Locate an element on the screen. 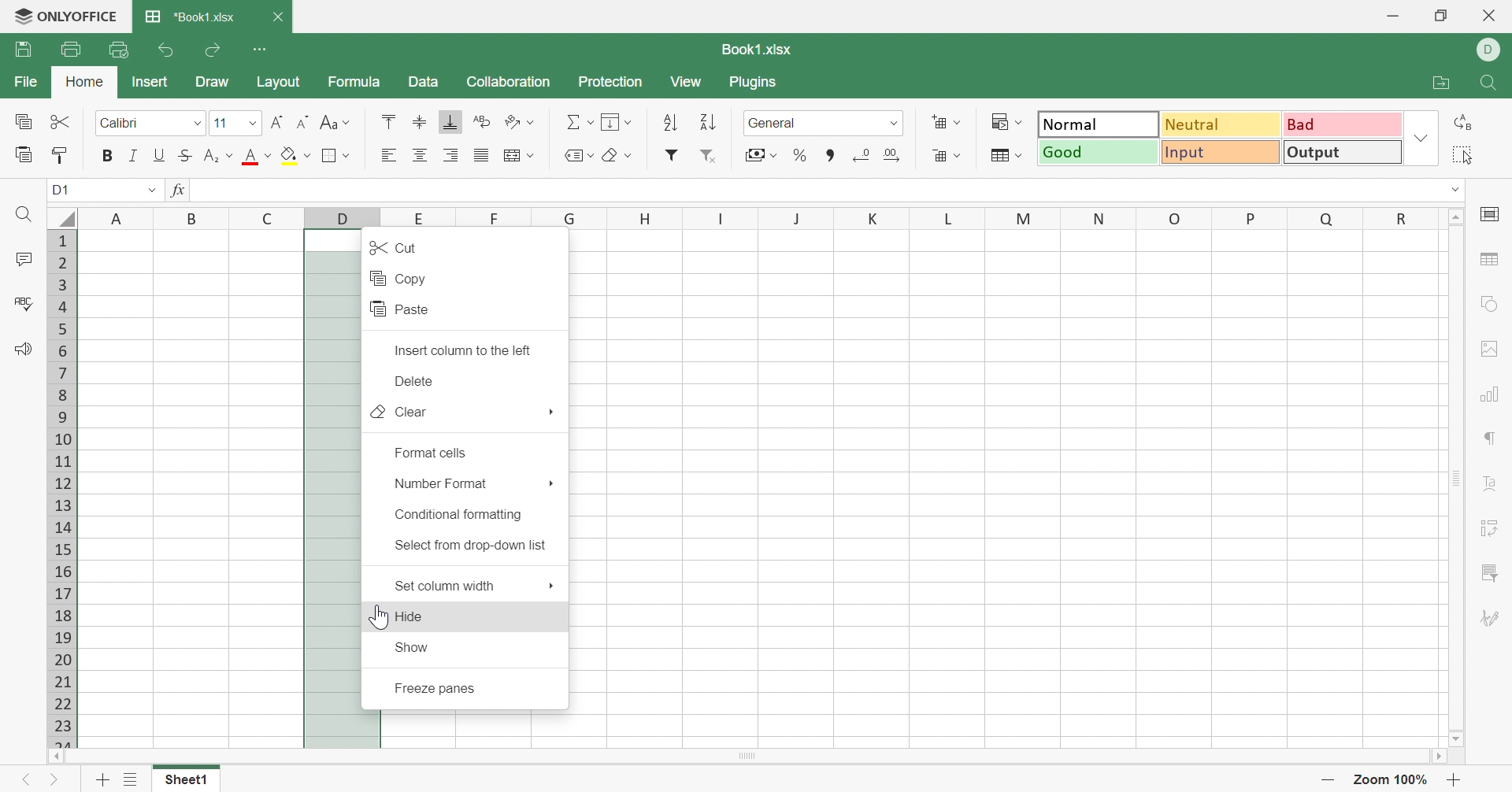  Fill color is located at coordinates (289, 156).